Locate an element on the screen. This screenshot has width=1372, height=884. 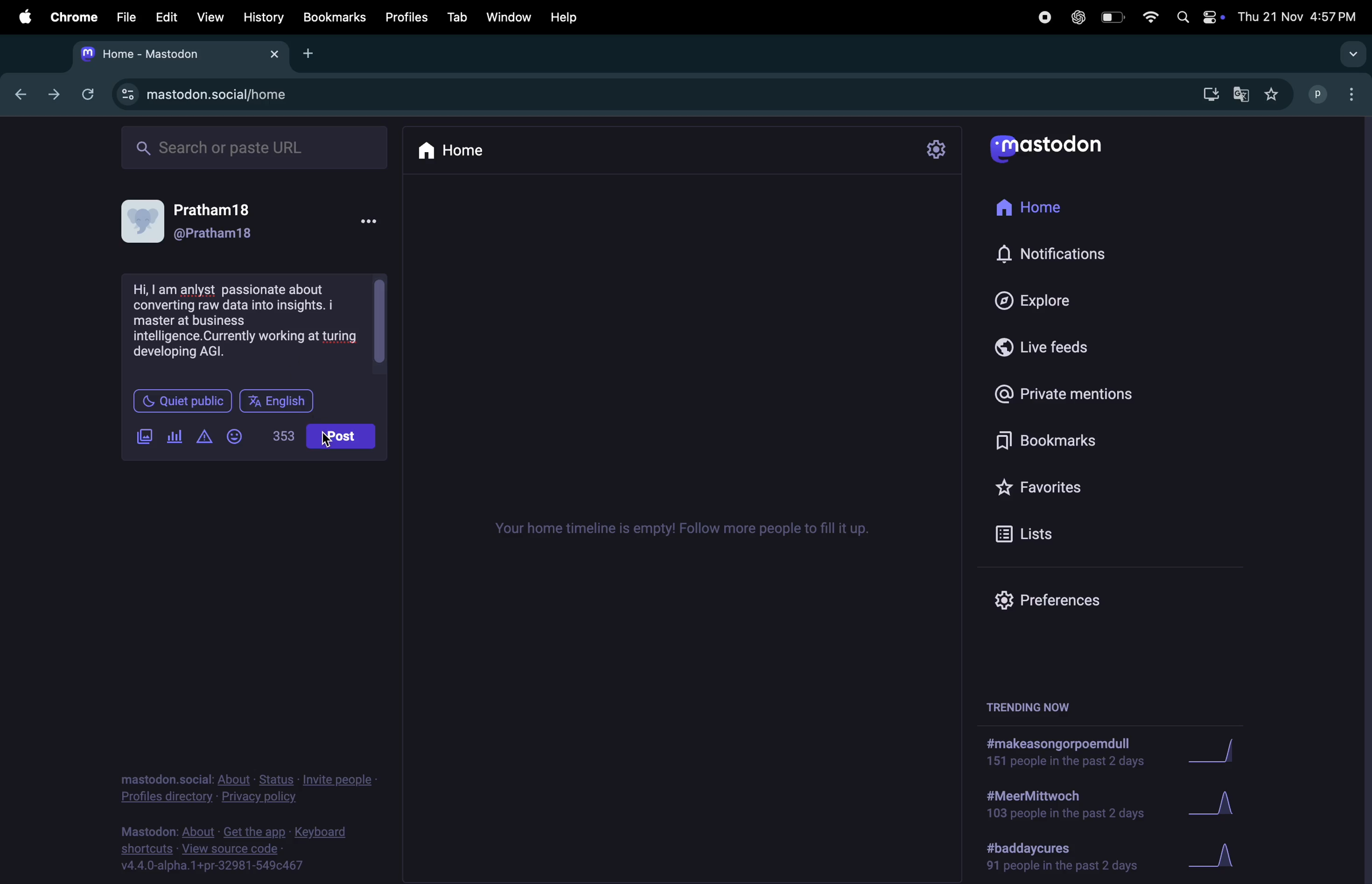
Add new tab is located at coordinates (309, 53).